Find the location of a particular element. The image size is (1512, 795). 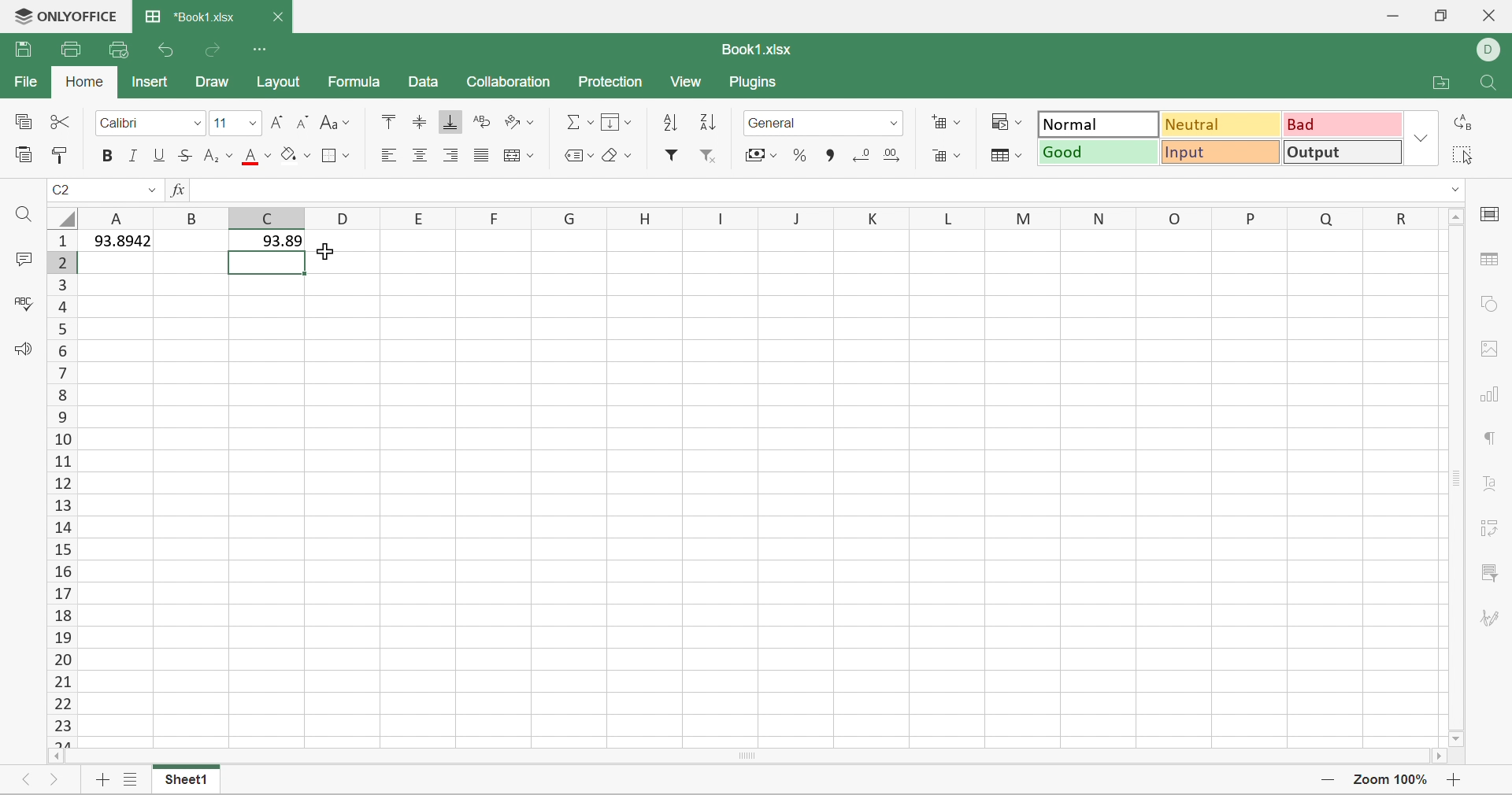

Draw is located at coordinates (211, 80).